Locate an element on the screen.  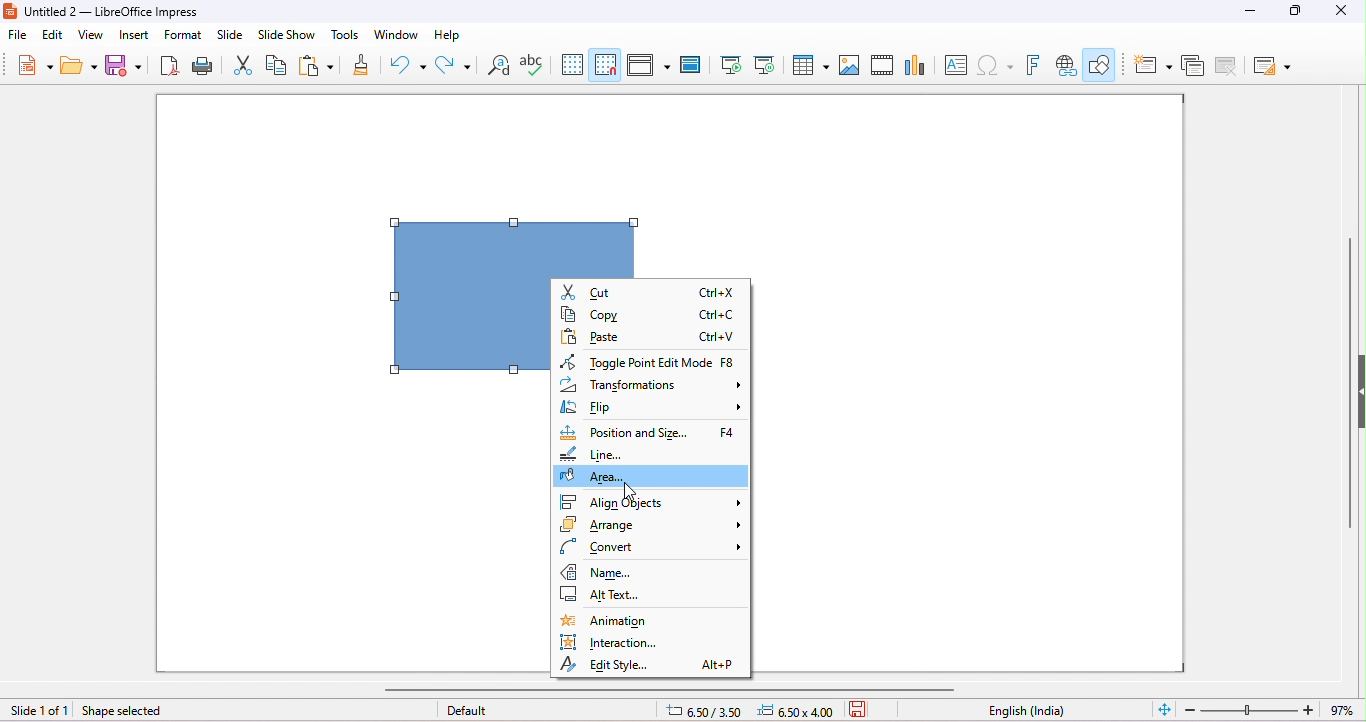
copy    Ctrl+C is located at coordinates (651, 315).